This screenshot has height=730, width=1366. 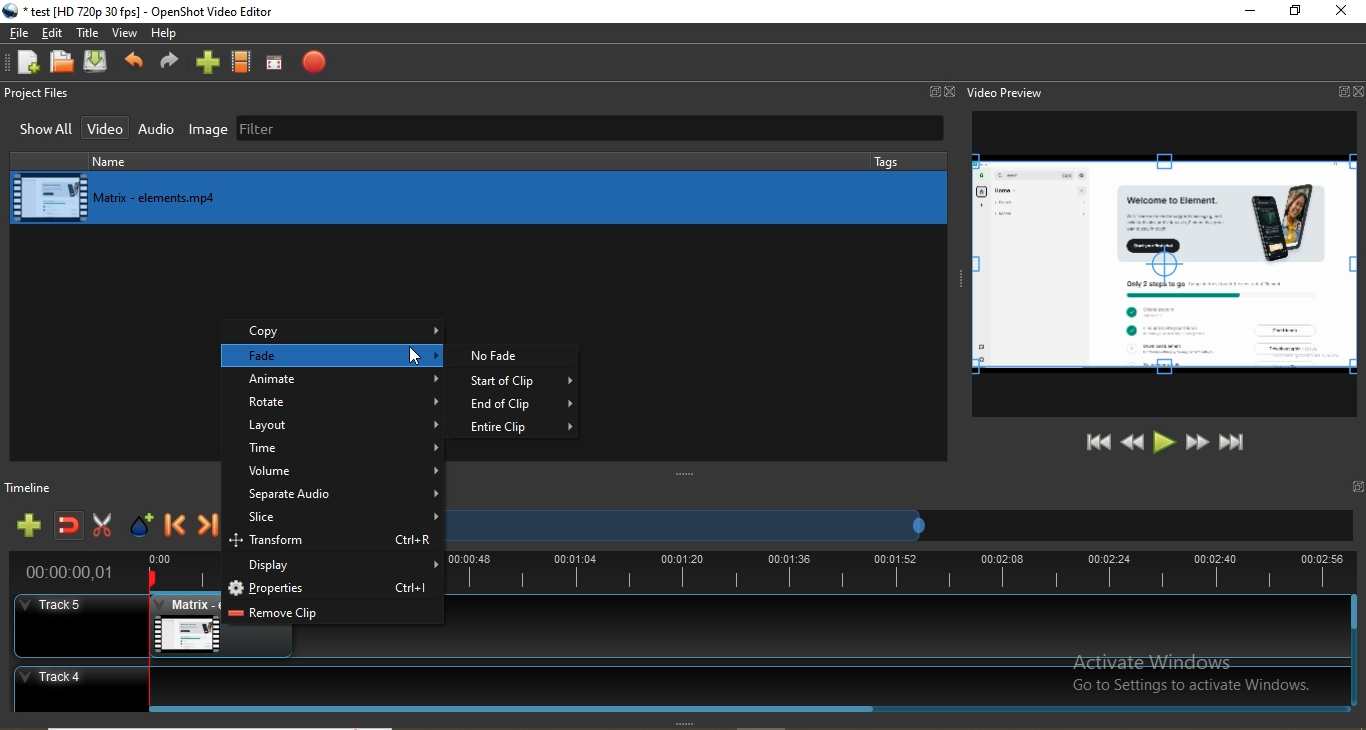 I want to click on Video preview, so click(x=1007, y=92).